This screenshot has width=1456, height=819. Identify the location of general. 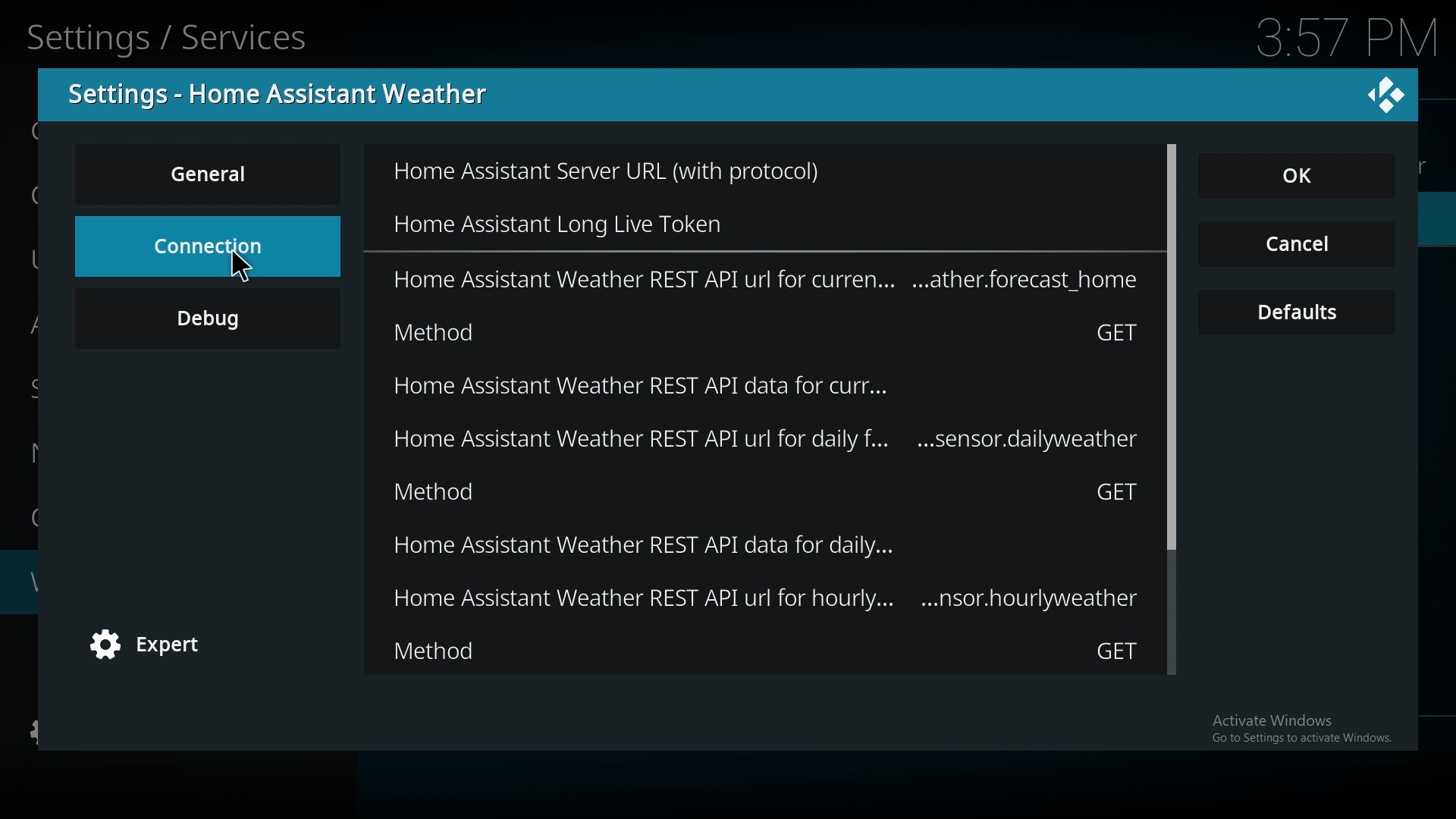
(211, 174).